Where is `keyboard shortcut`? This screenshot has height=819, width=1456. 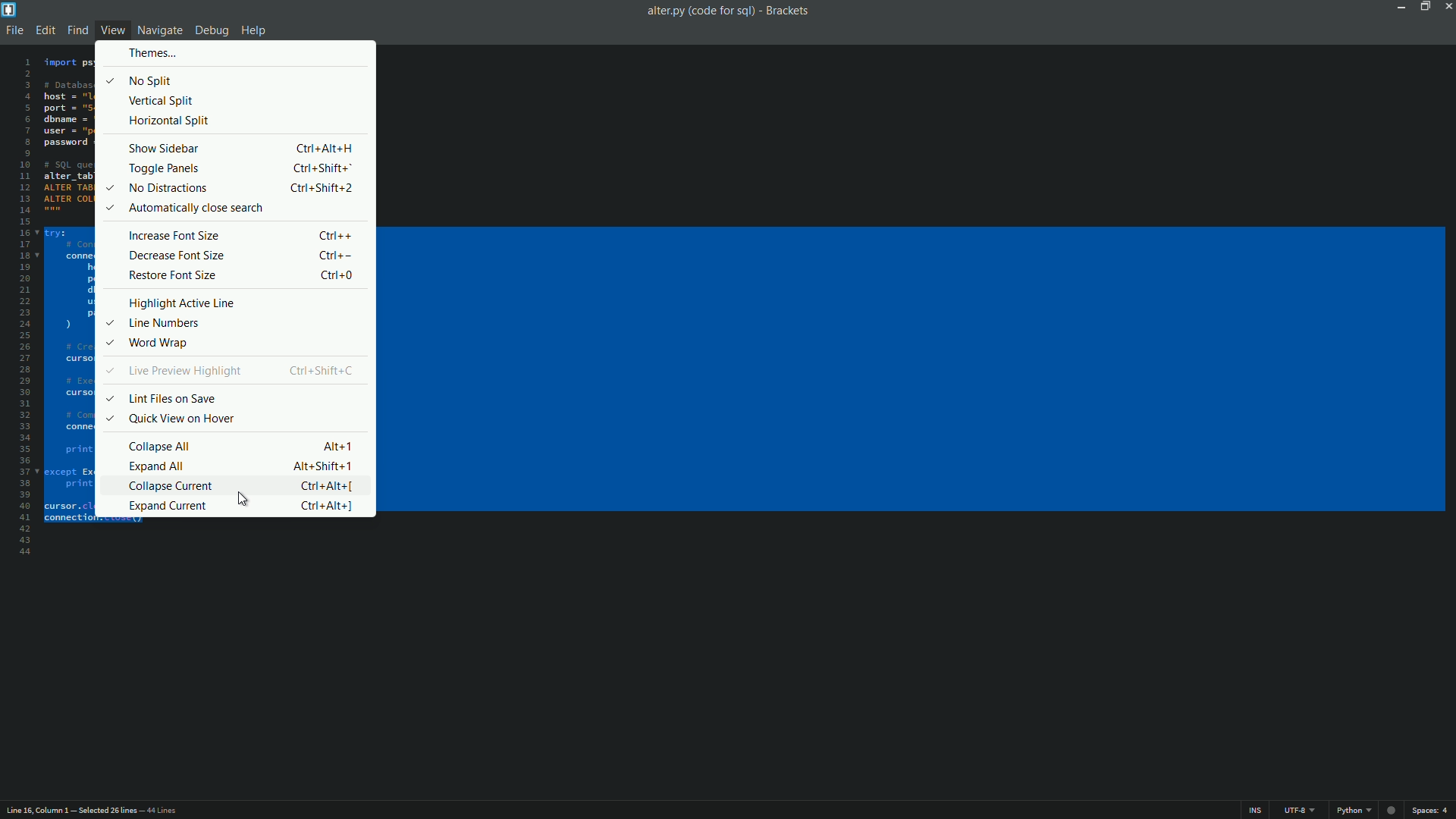 keyboard shortcut is located at coordinates (326, 149).